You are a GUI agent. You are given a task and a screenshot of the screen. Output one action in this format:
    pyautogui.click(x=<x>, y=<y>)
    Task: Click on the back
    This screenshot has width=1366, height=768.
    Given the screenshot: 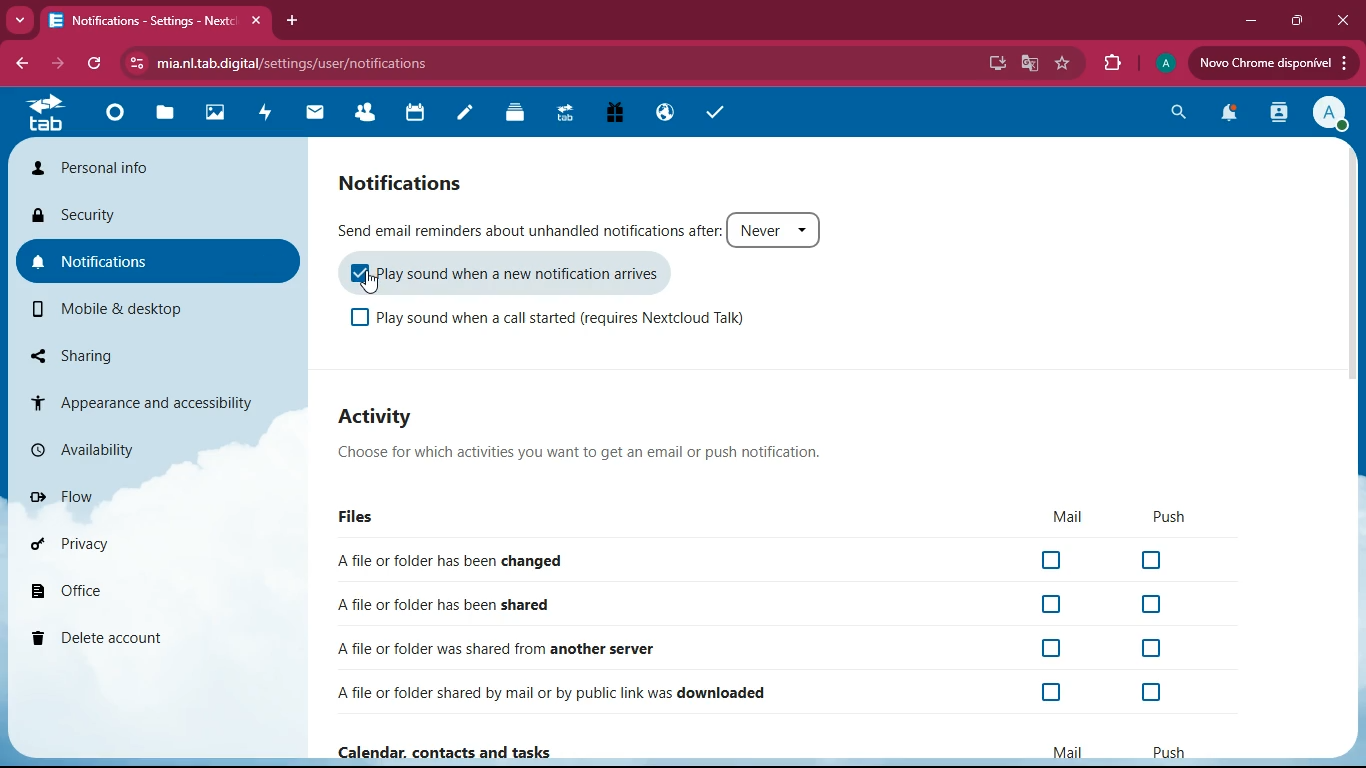 What is the action you would take?
    pyautogui.click(x=20, y=65)
    